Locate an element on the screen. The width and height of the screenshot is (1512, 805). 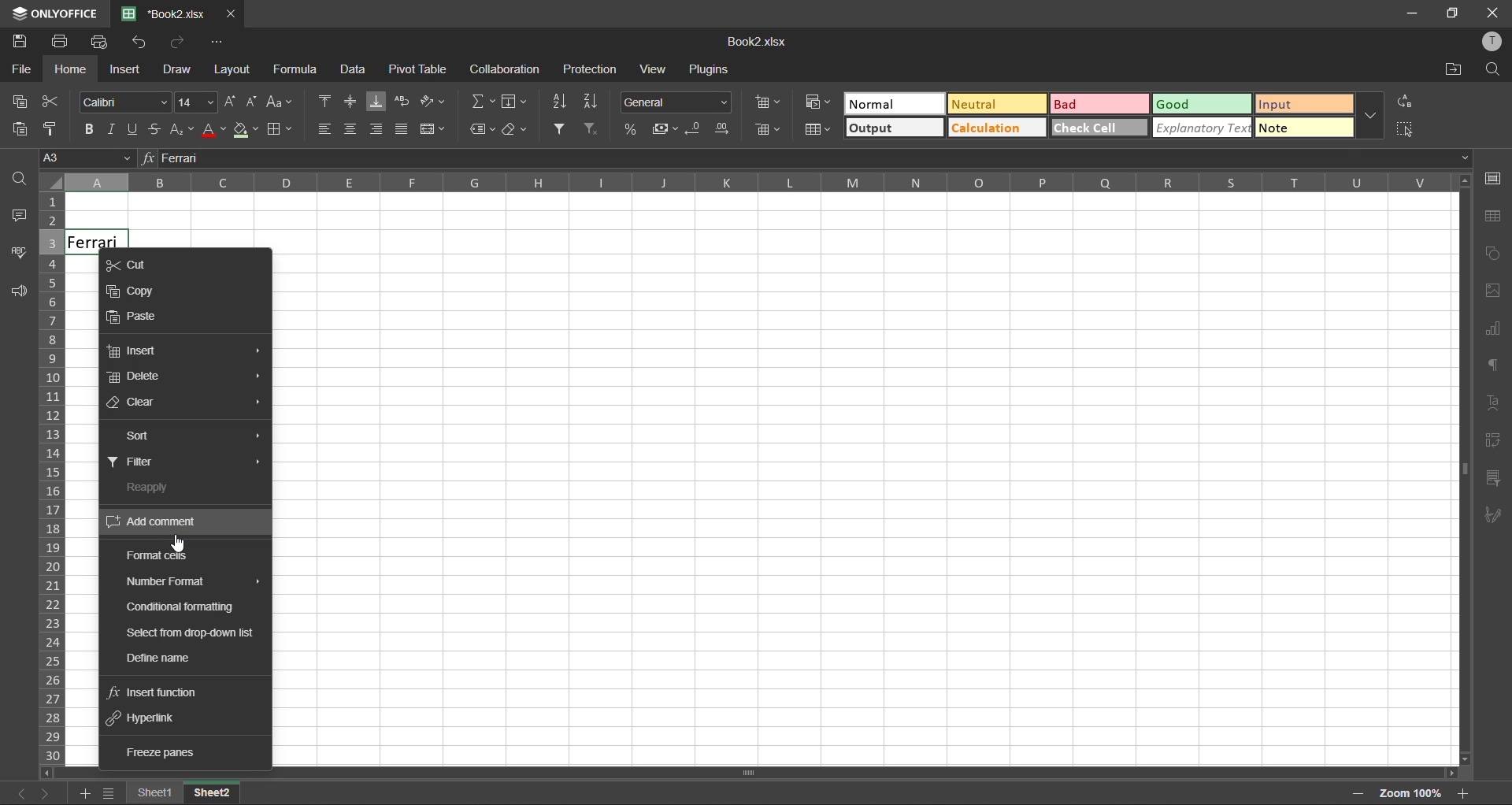
merge and center is located at coordinates (433, 132).